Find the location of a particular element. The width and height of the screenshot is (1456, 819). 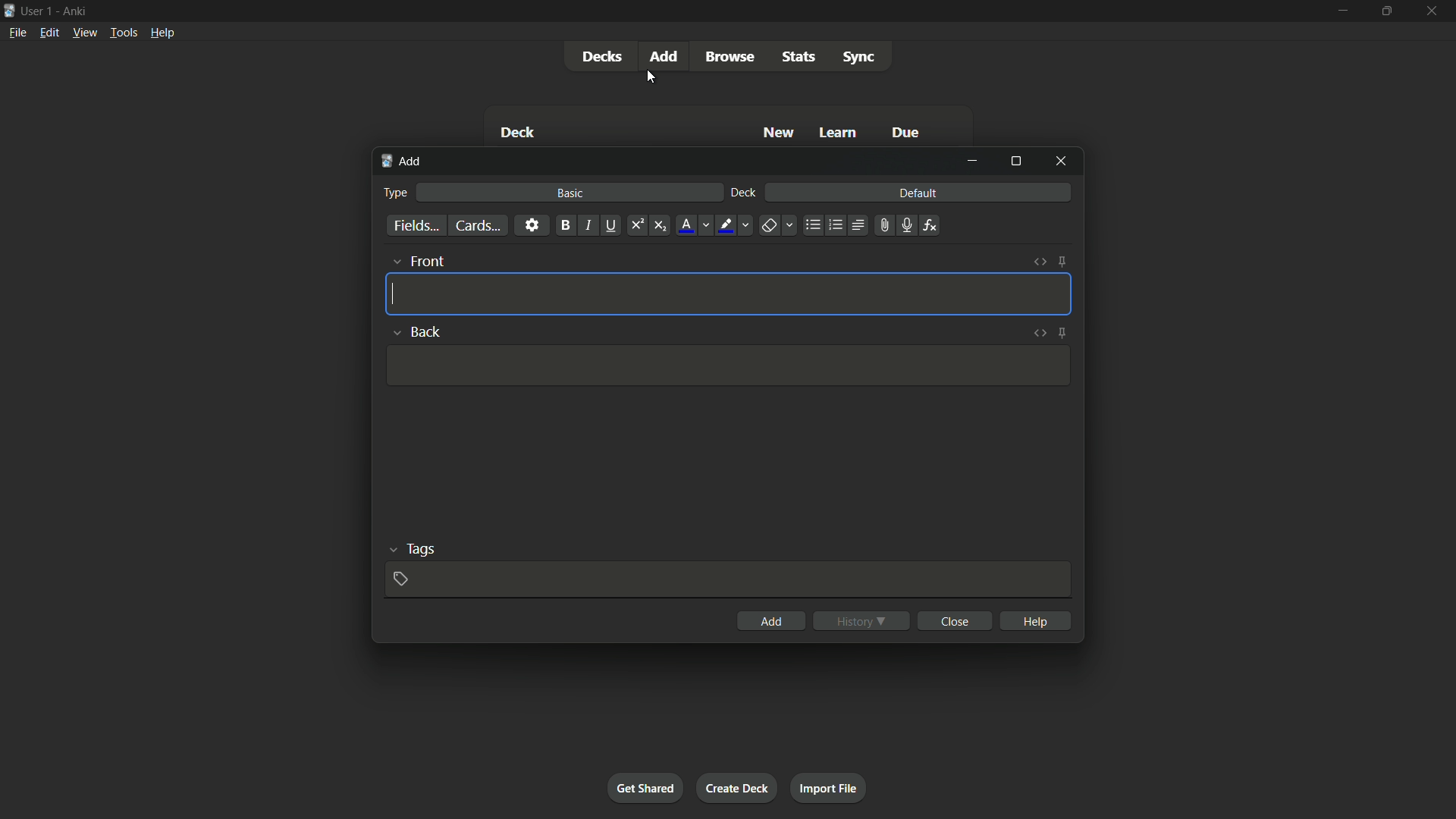

italic is located at coordinates (587, 225).